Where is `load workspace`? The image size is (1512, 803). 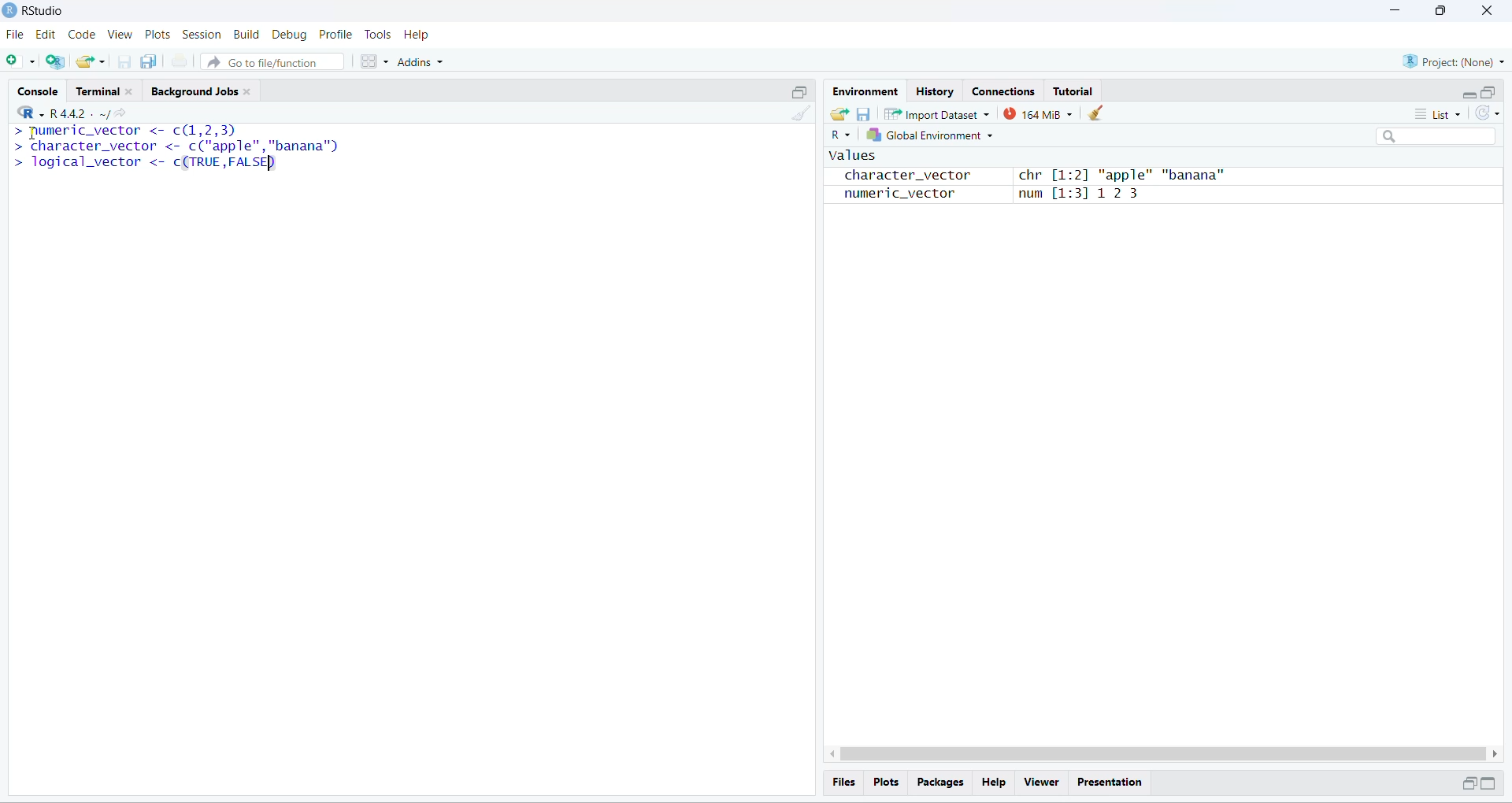
load workspace is located at coordinates (838, 113).